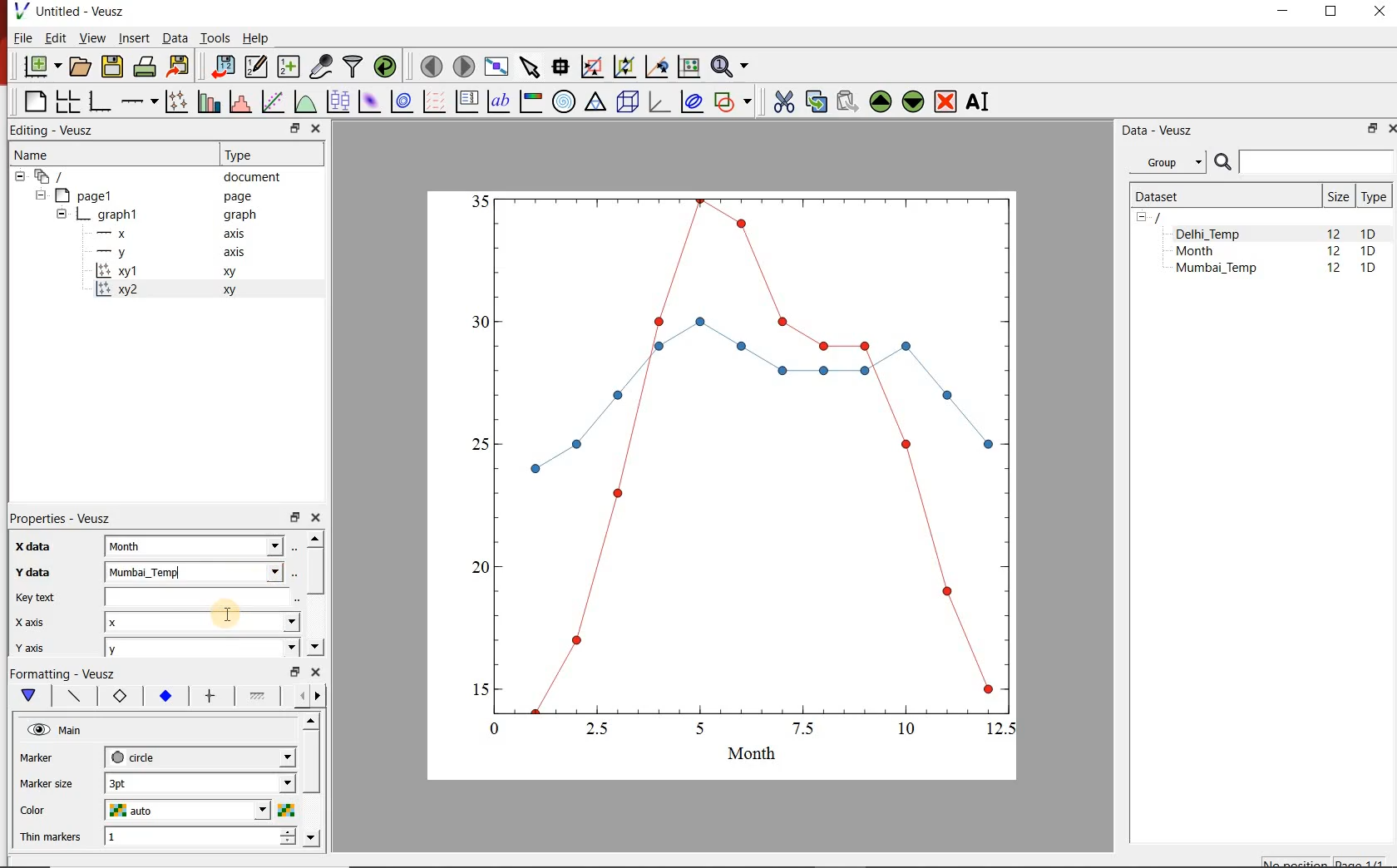  I want to click on SEARCH DATASETS, so click(1303, 163).